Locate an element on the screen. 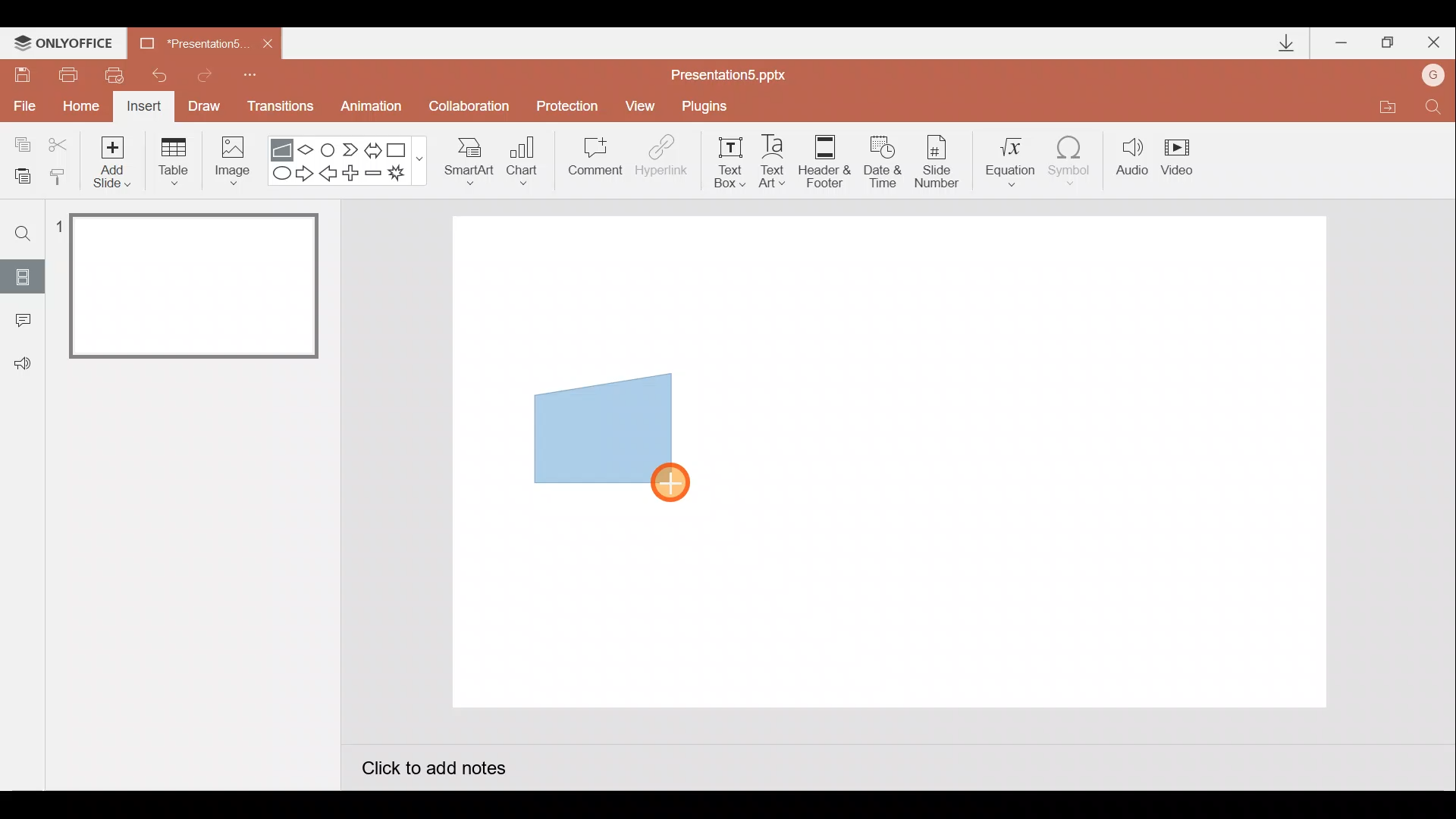 Image resolution: width=1456 pixels, height=819 pixels. Explosion 1 is located at coordinates (406, 175).